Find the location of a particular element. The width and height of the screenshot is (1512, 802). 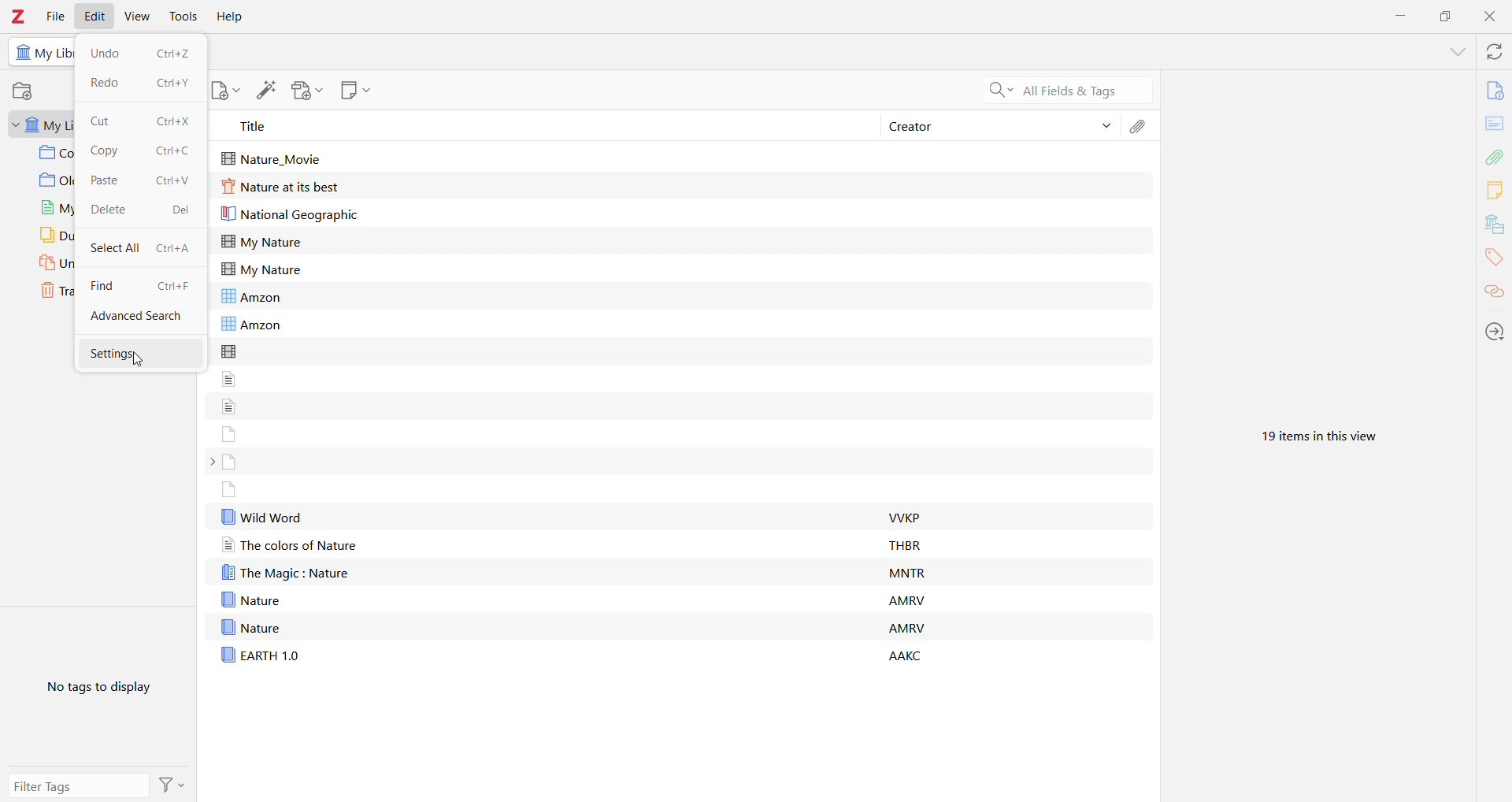

New Collection is located at coordinates (26, 91).